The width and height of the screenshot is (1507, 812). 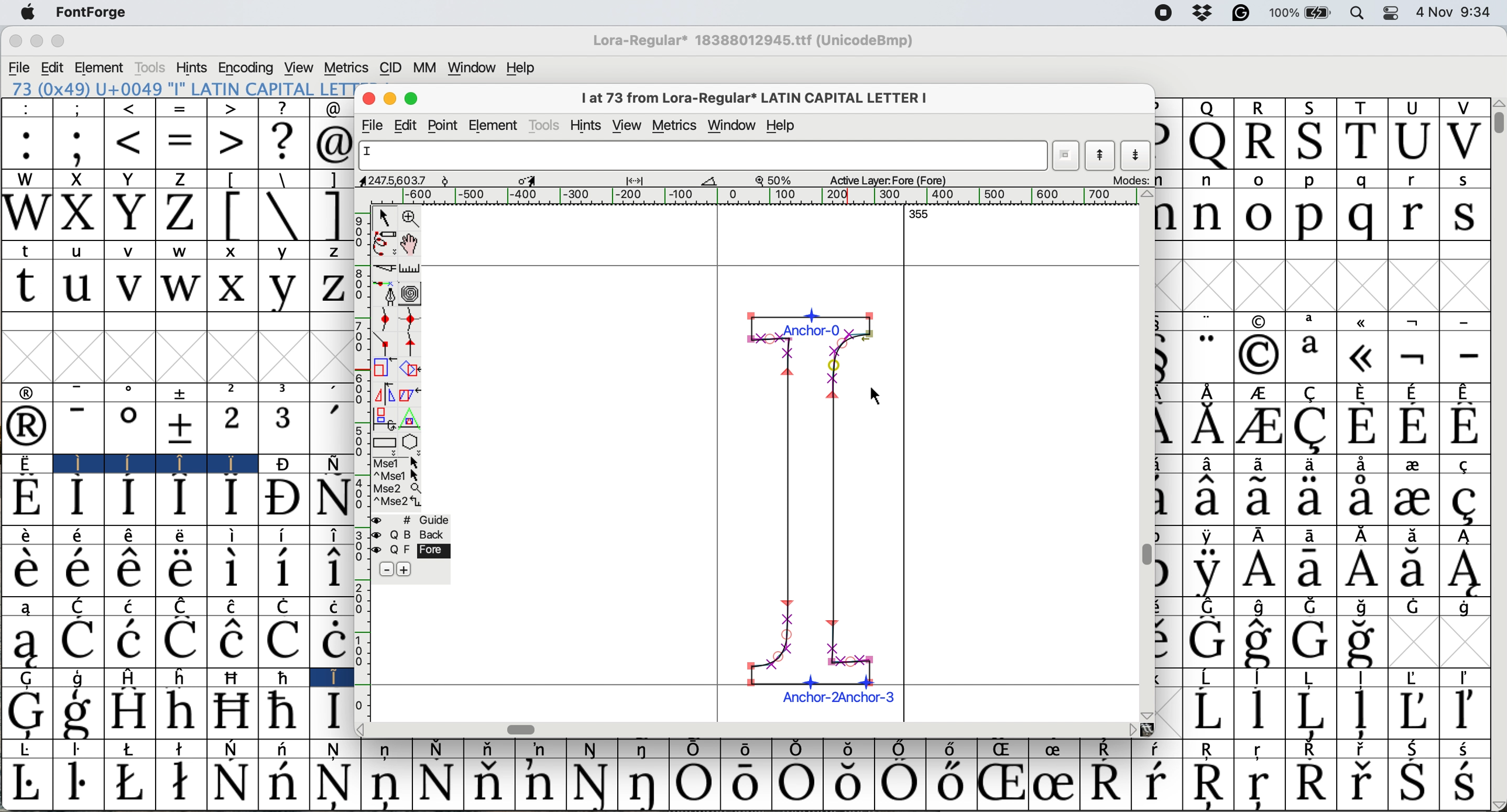 I want to click on <, so click(x=131, y=109).